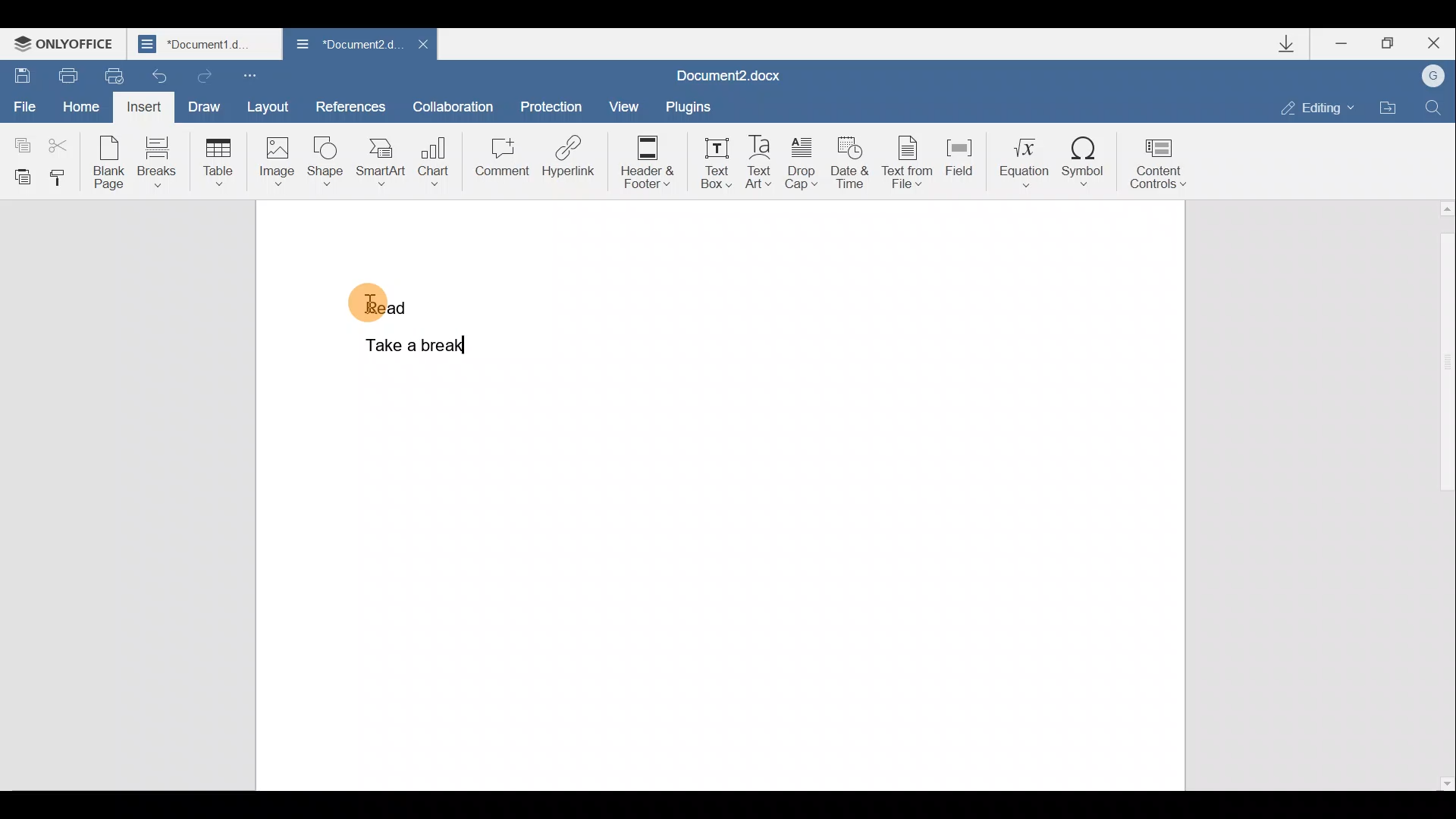  What do you see at coordinates (67, 45) in the screenshot?
I see `ONLYOFFICE` at bounding box center [67, 45].